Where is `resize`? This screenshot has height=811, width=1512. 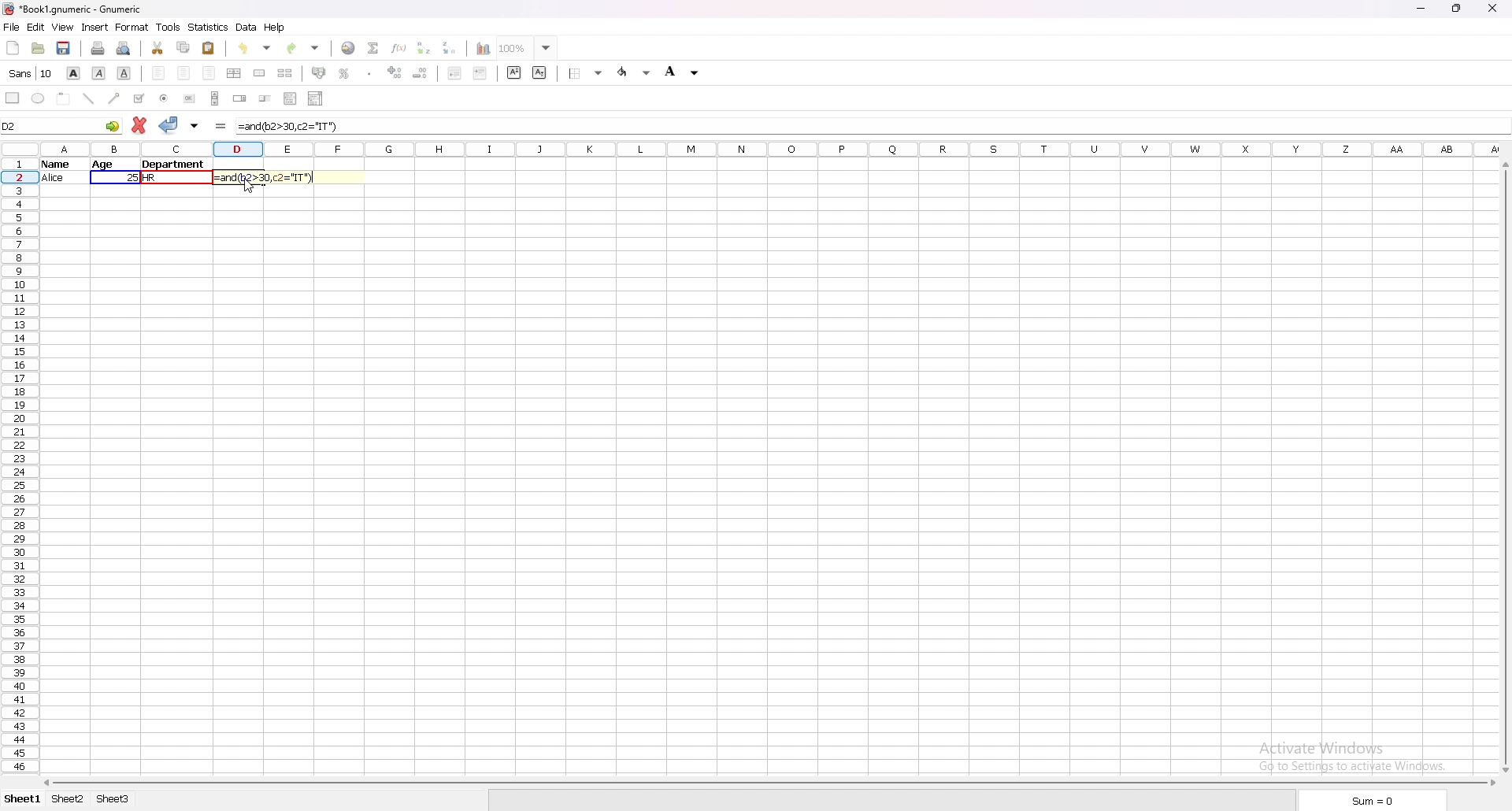
resize is located at coordinates (1455, 9).